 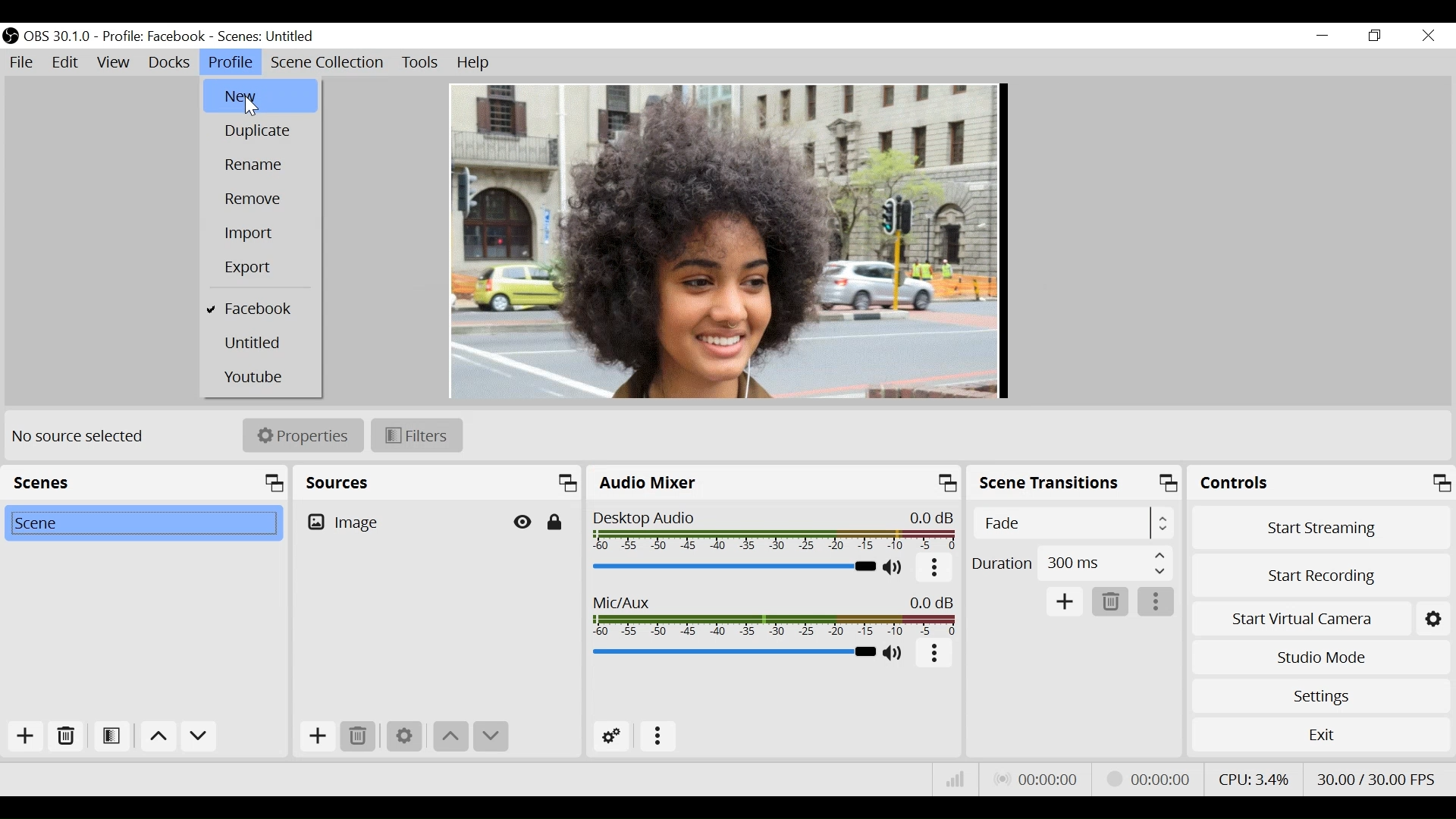 What do you see at coordinates (358, 736) in the screenshot?
I see `Delete` at bounding box center [358, 736].